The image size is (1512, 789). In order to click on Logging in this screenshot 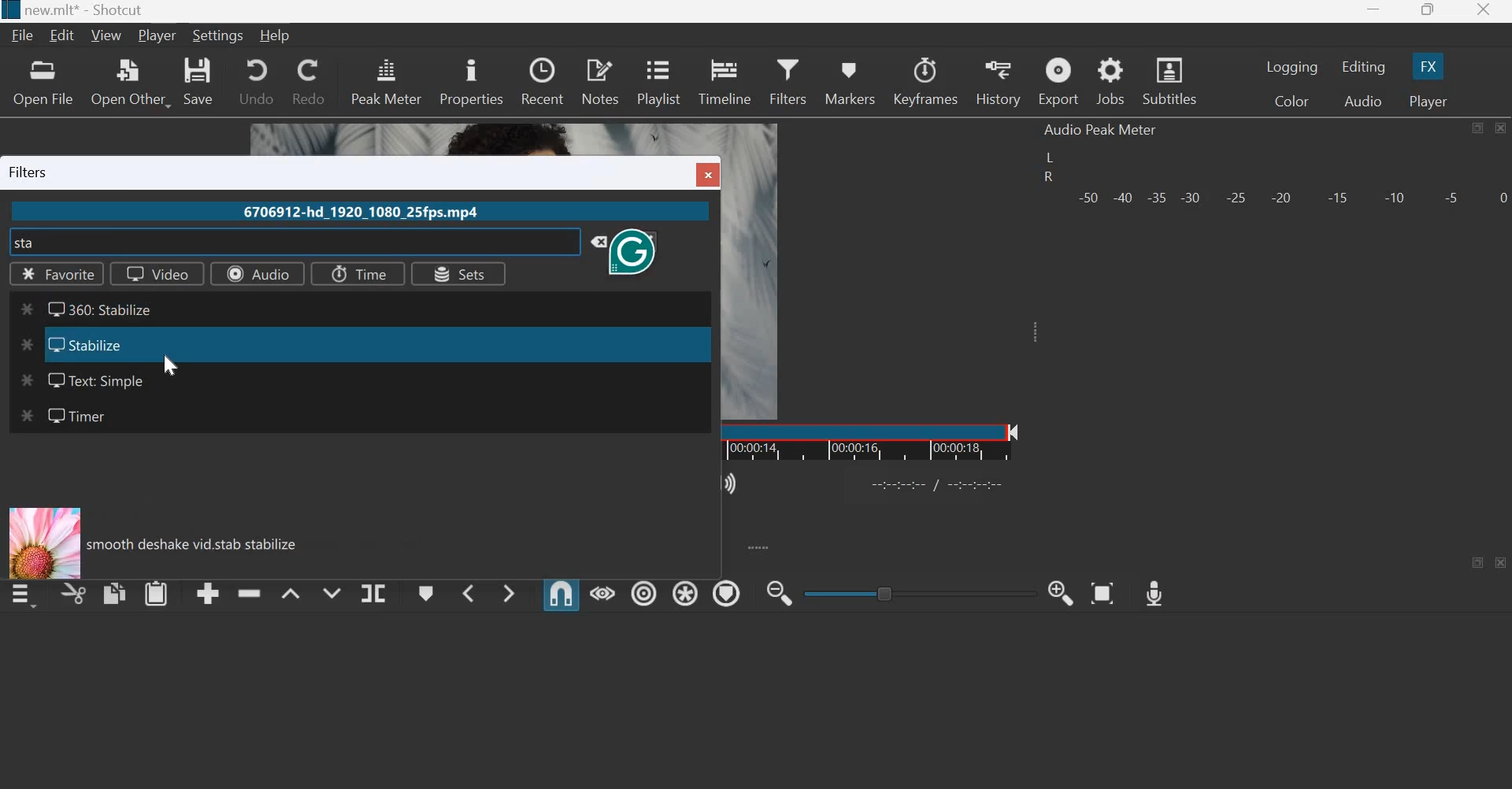, I will do `click(1292, 67)`.